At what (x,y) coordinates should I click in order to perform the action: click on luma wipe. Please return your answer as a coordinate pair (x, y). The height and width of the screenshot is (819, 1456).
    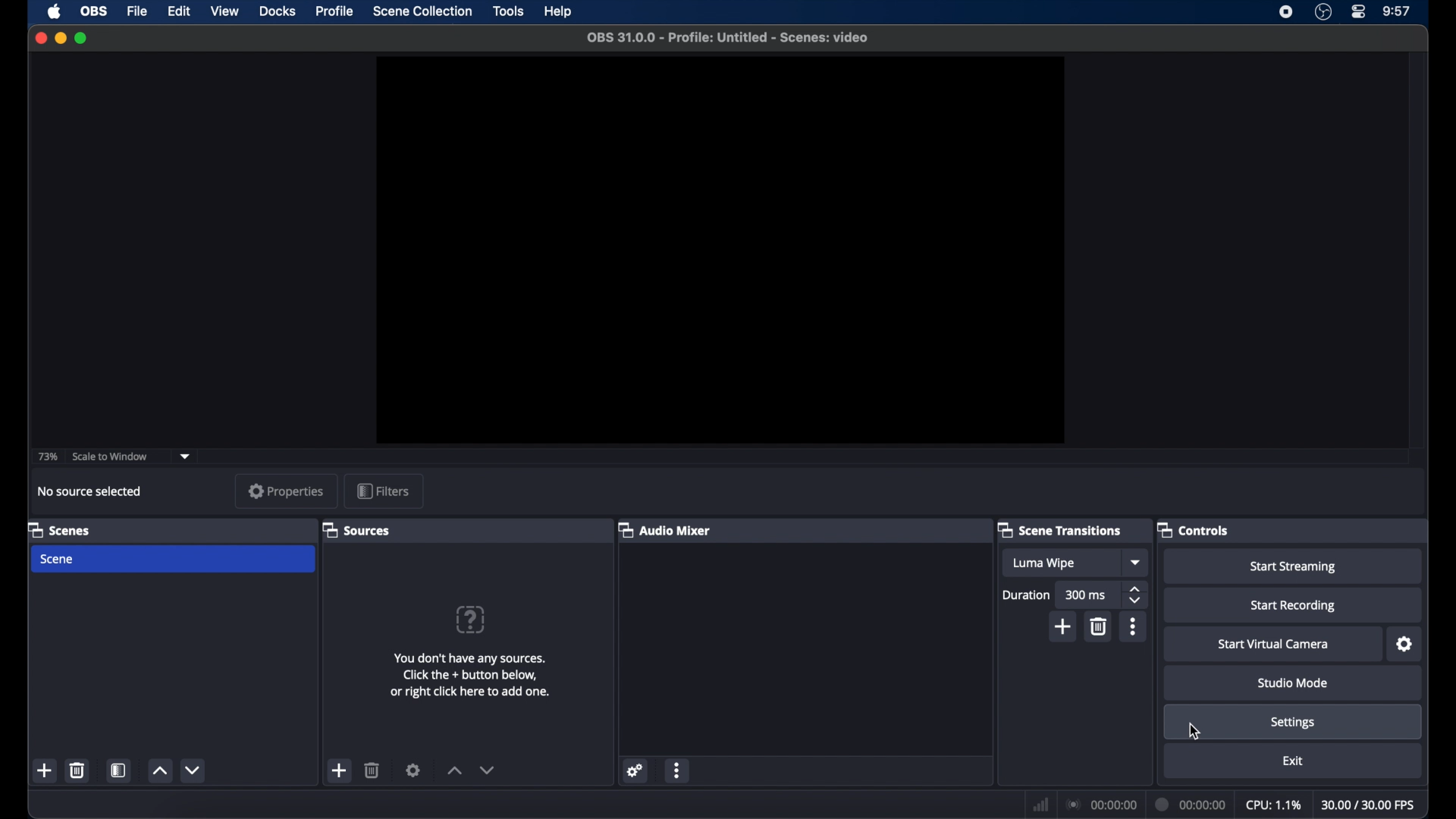
    Looking at the image, I should click on (1043, 563).